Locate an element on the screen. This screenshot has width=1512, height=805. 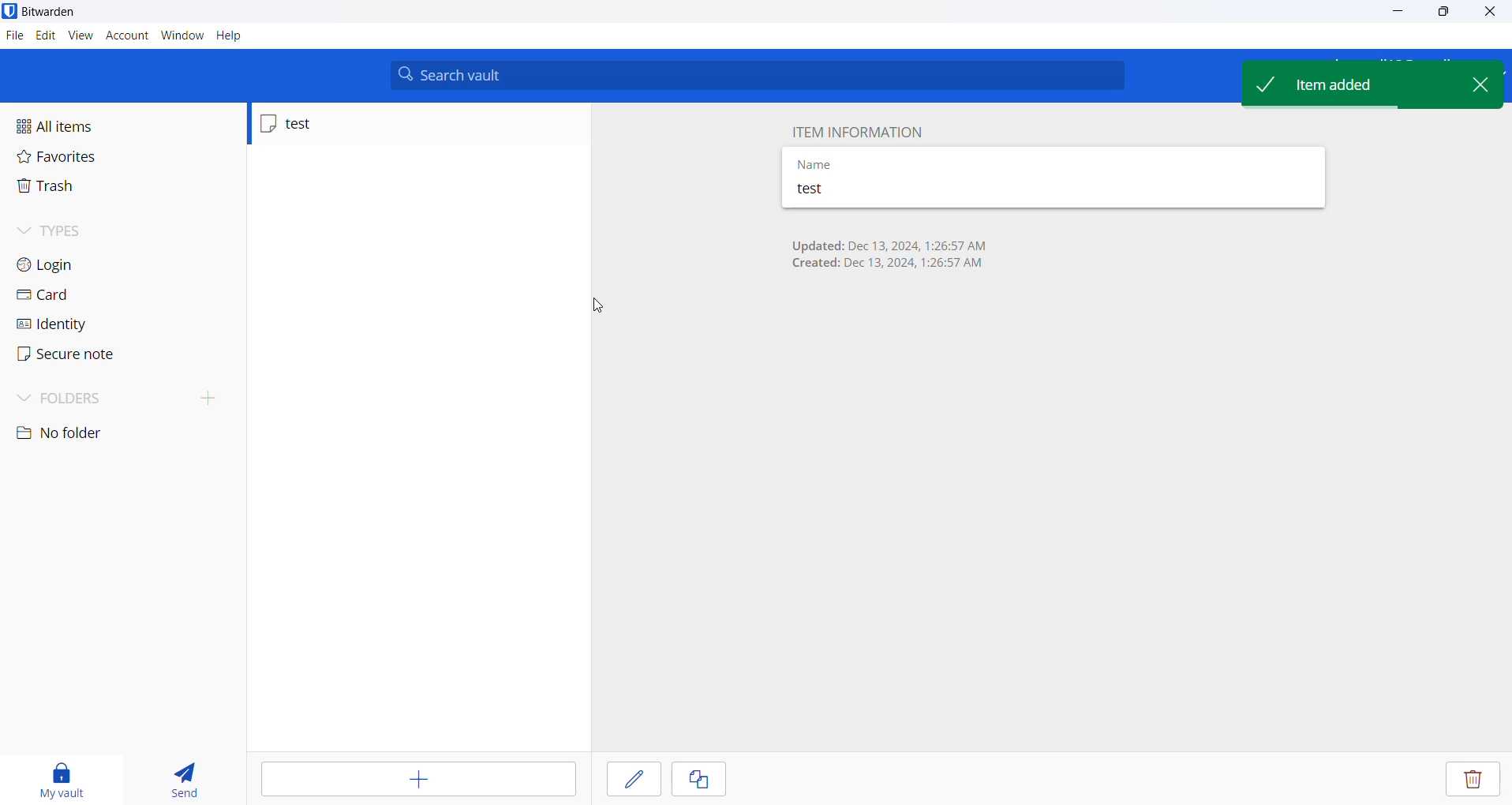
help is located at coordinates (230, 36).